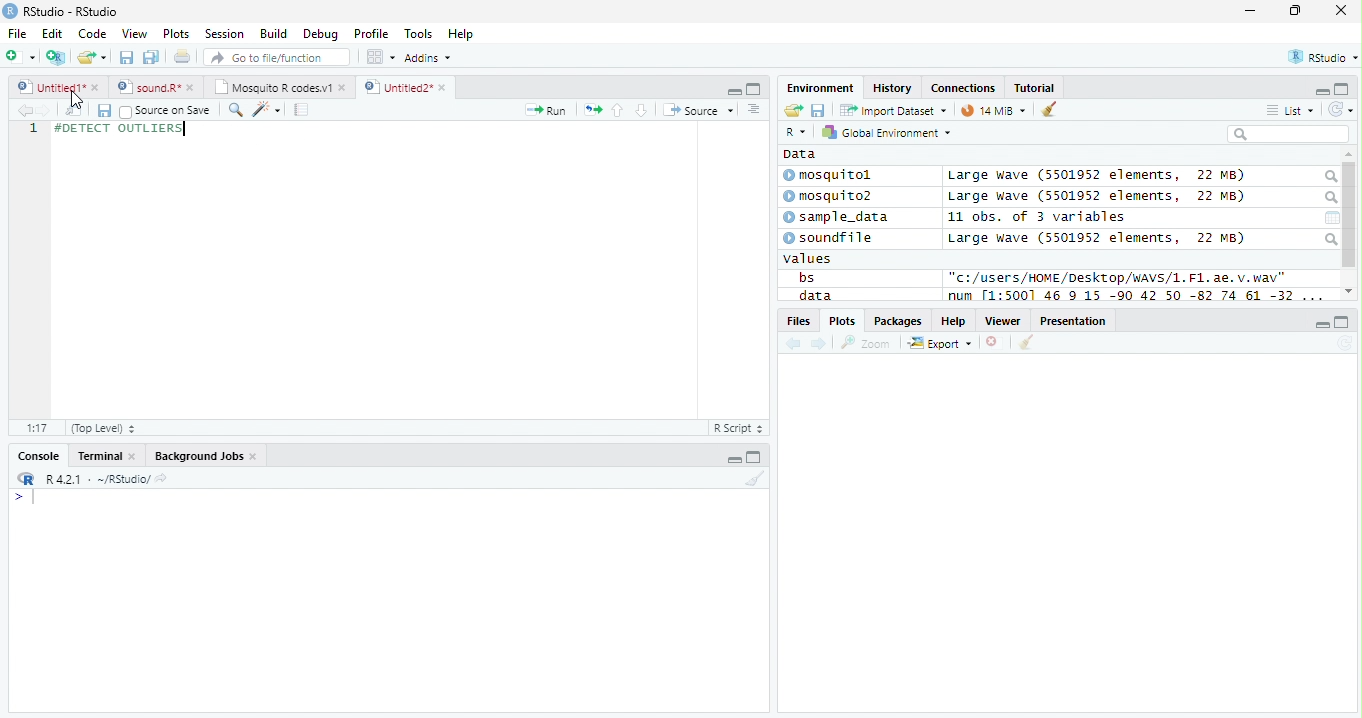  What do you see at coordinates (104, 456) in the screenshot?
I see `Terminal` at bounding box center [104, 456].